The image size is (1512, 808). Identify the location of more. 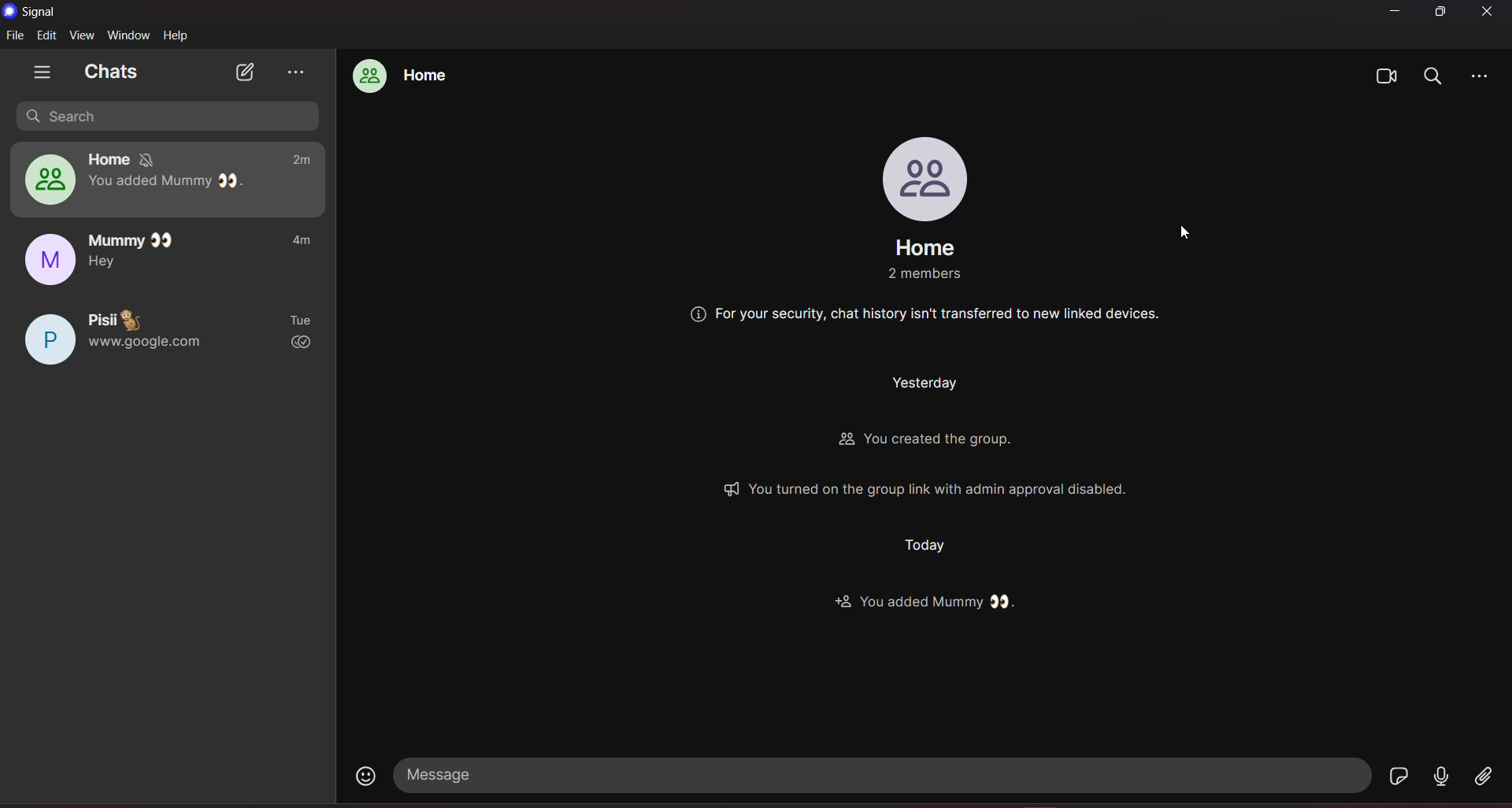
(1477, 73).